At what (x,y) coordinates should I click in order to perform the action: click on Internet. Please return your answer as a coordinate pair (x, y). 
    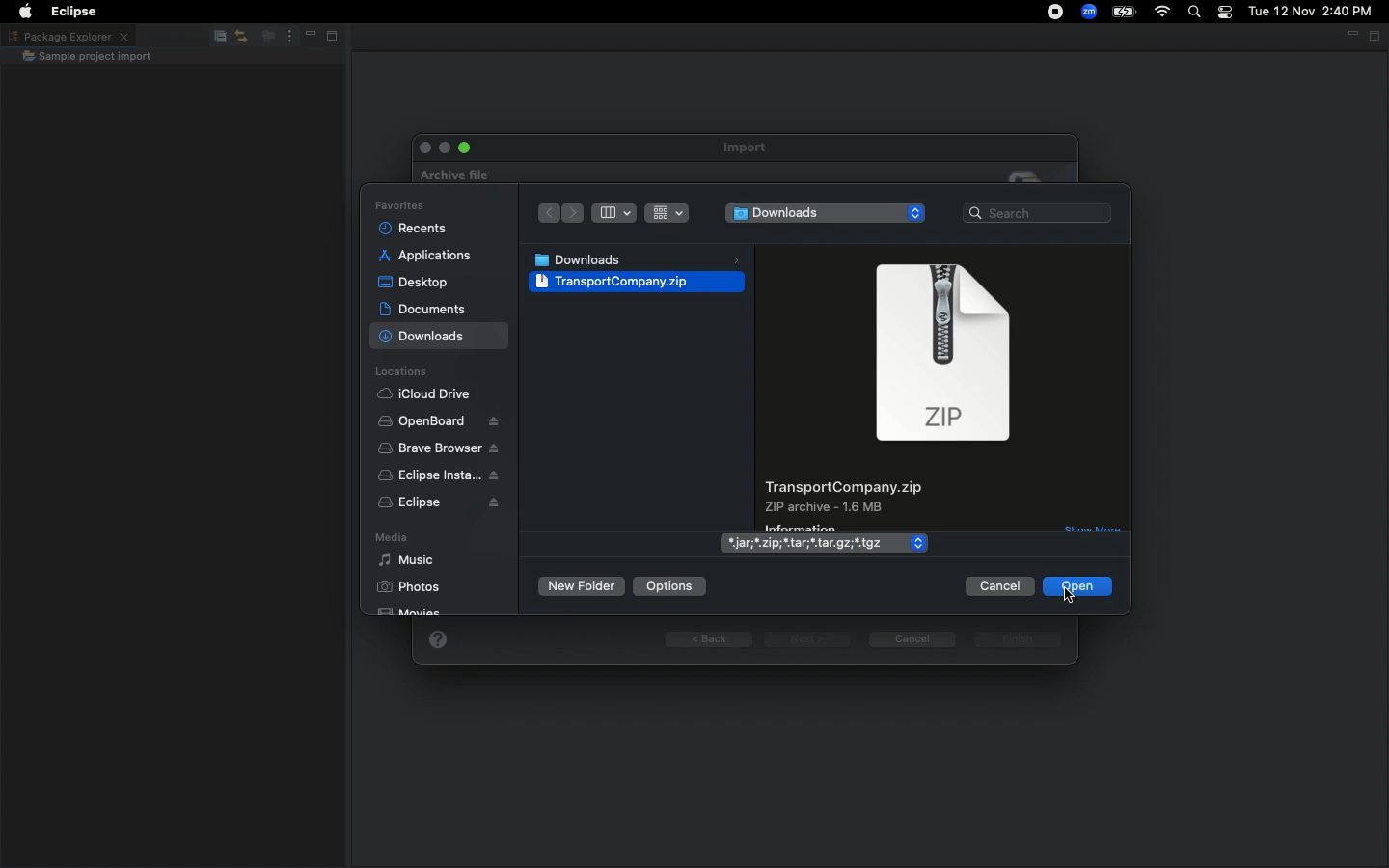
    Looking at the image, I should click on (1162, 13).